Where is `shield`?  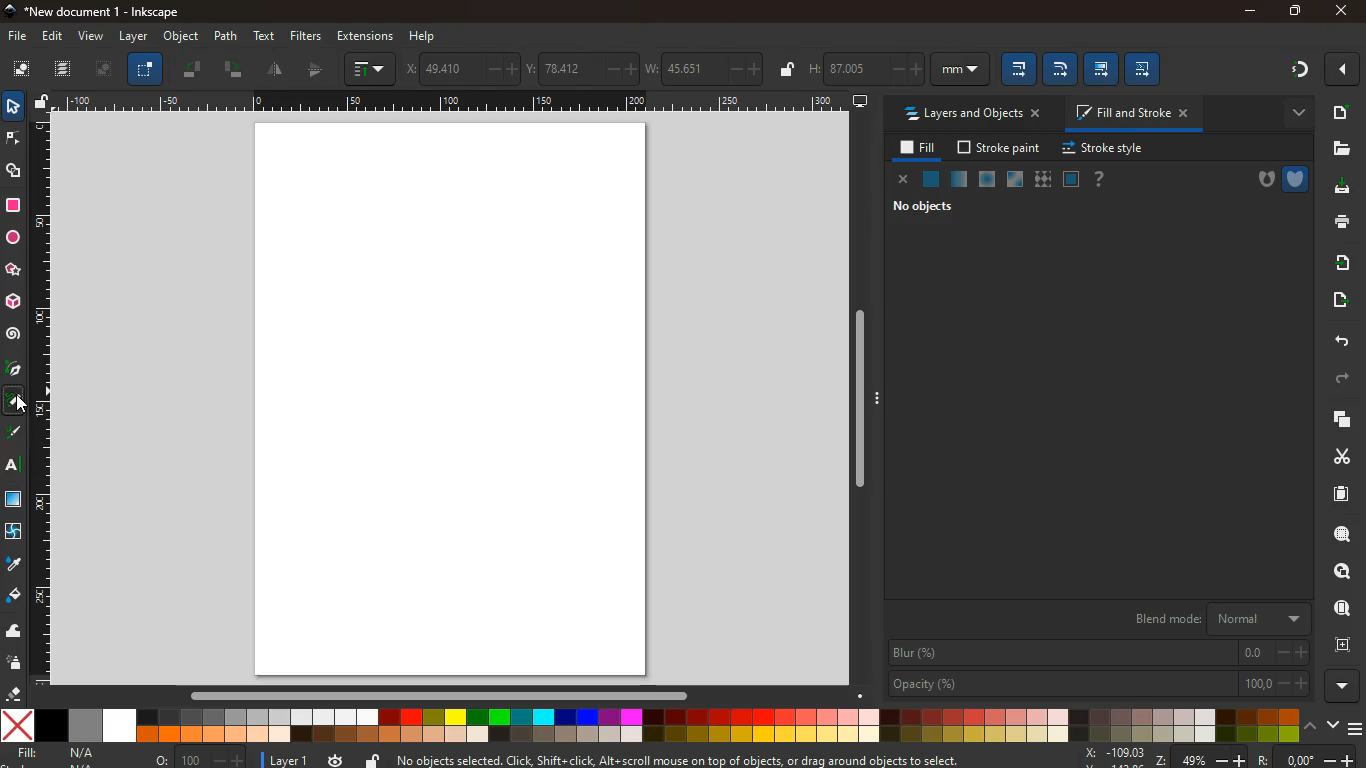 shield is located at coordinates (1297, 179).